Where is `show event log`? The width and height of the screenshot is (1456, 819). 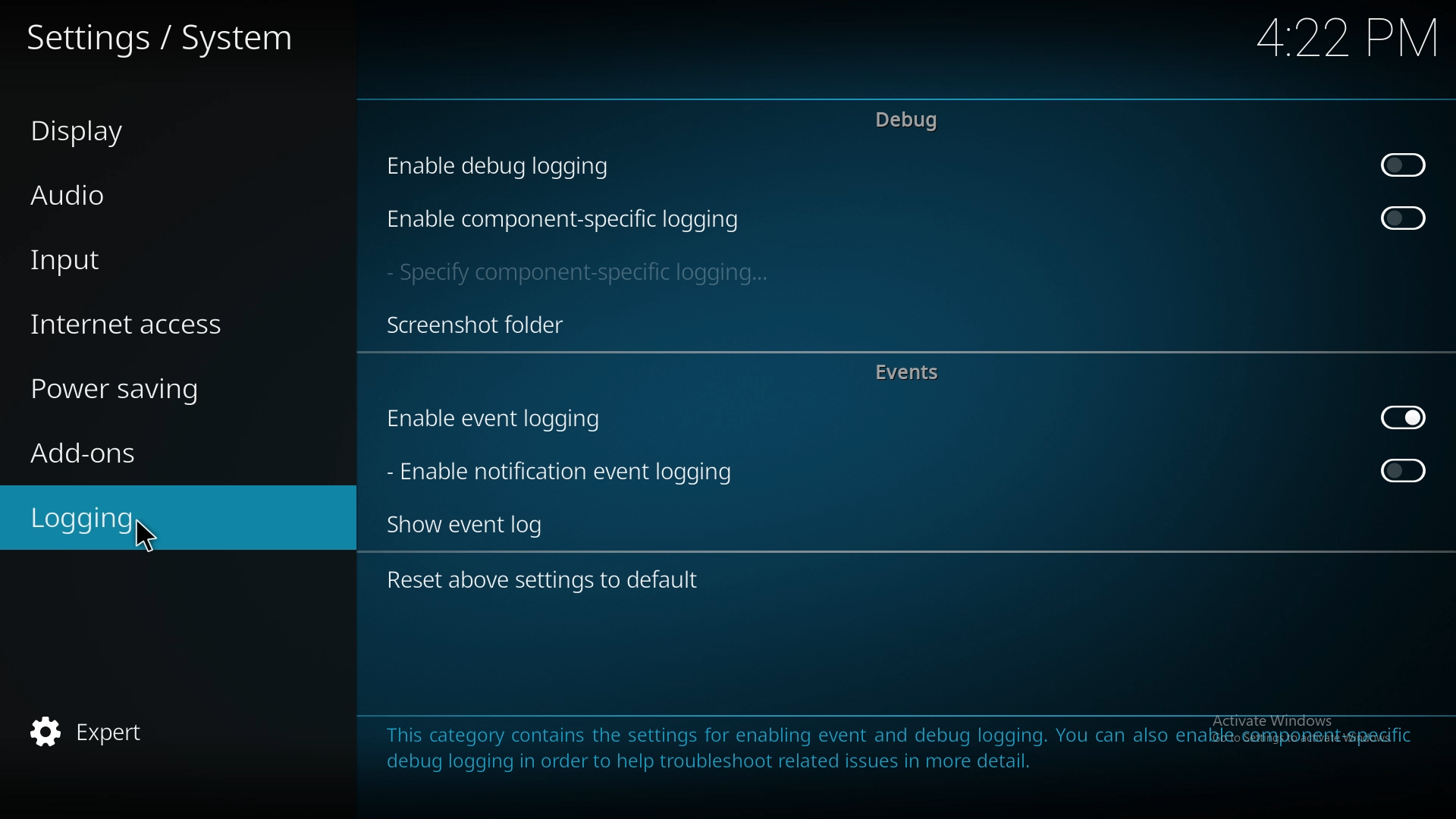
show event log is located at coordinates (479, 524).